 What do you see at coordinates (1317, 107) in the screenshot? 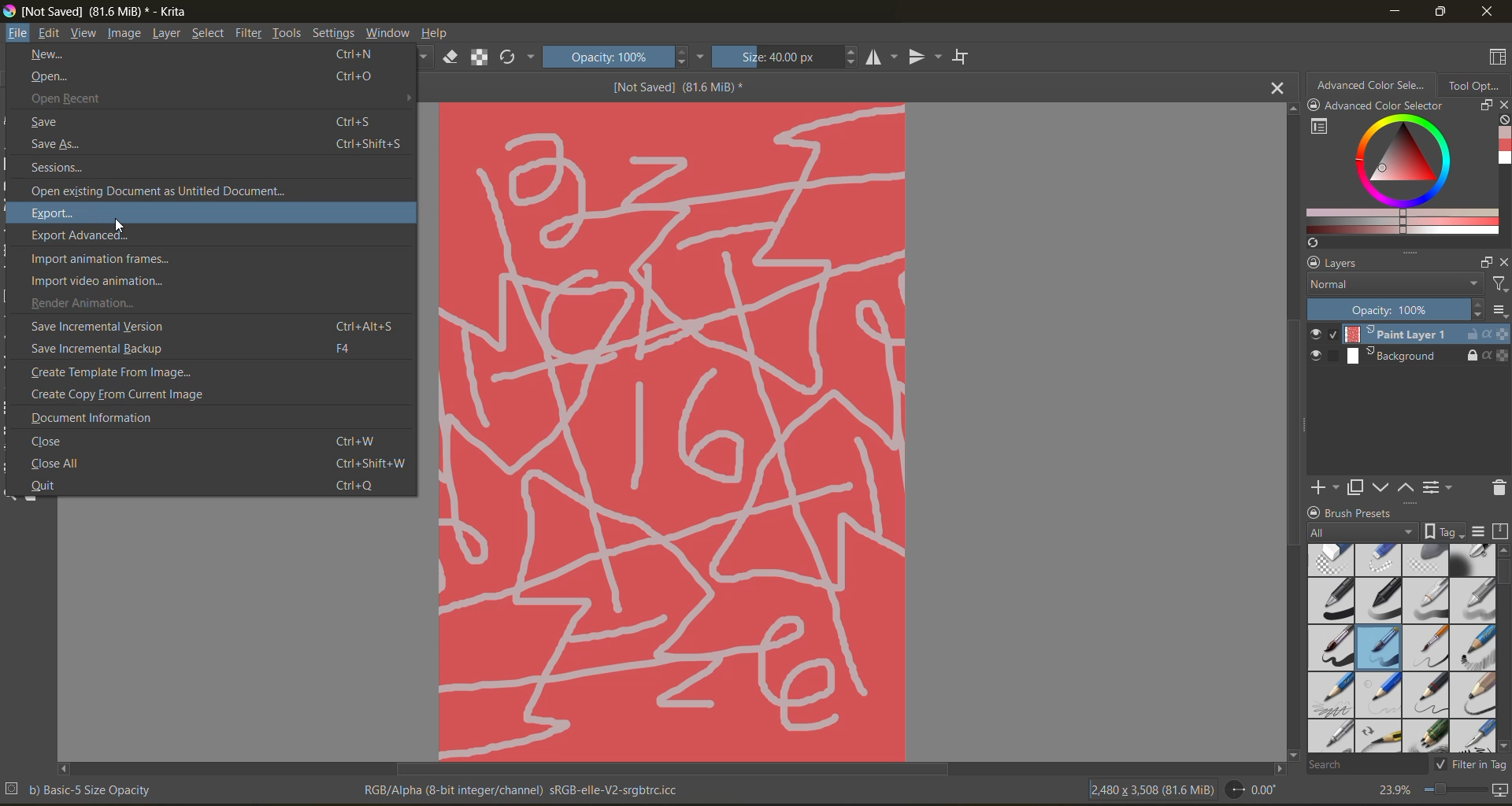
I see `lock/unlock docker` at bounding box center [1317, 107].